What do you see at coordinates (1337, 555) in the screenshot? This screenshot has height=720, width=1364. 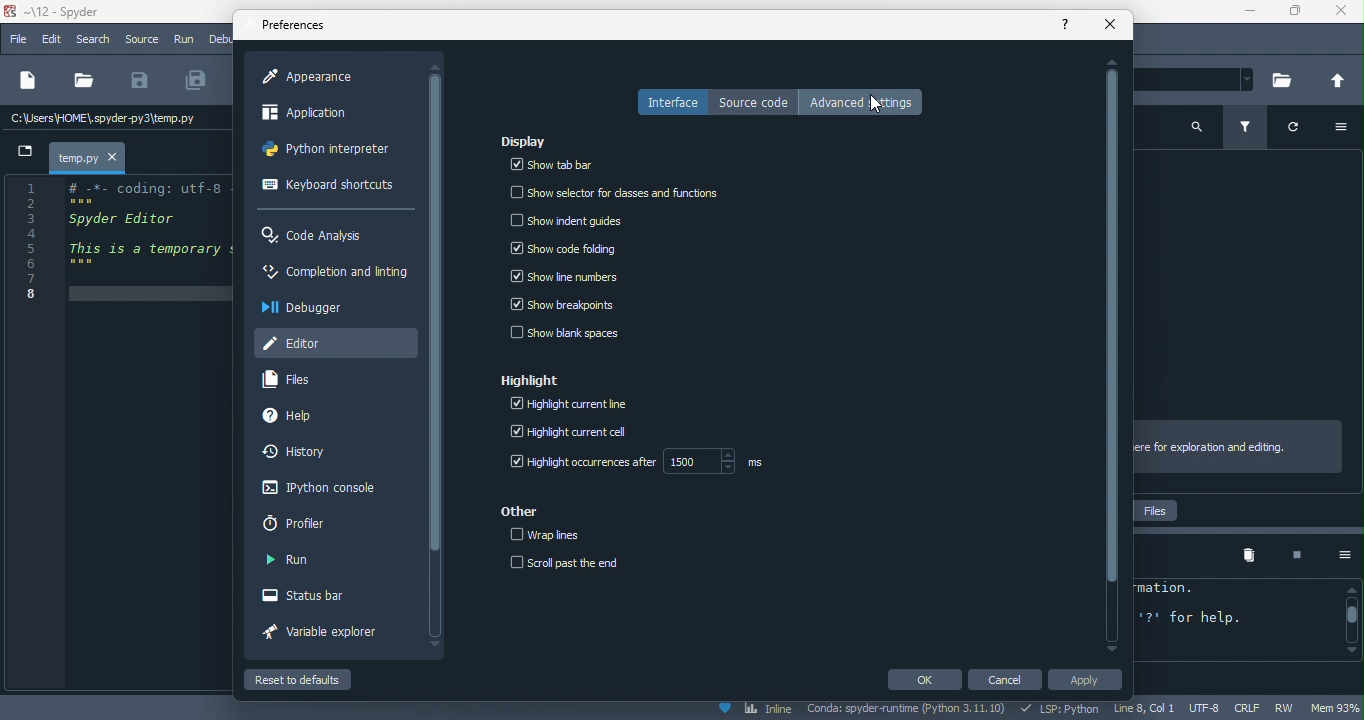 I see `option` at bounding box center [1337, 555].